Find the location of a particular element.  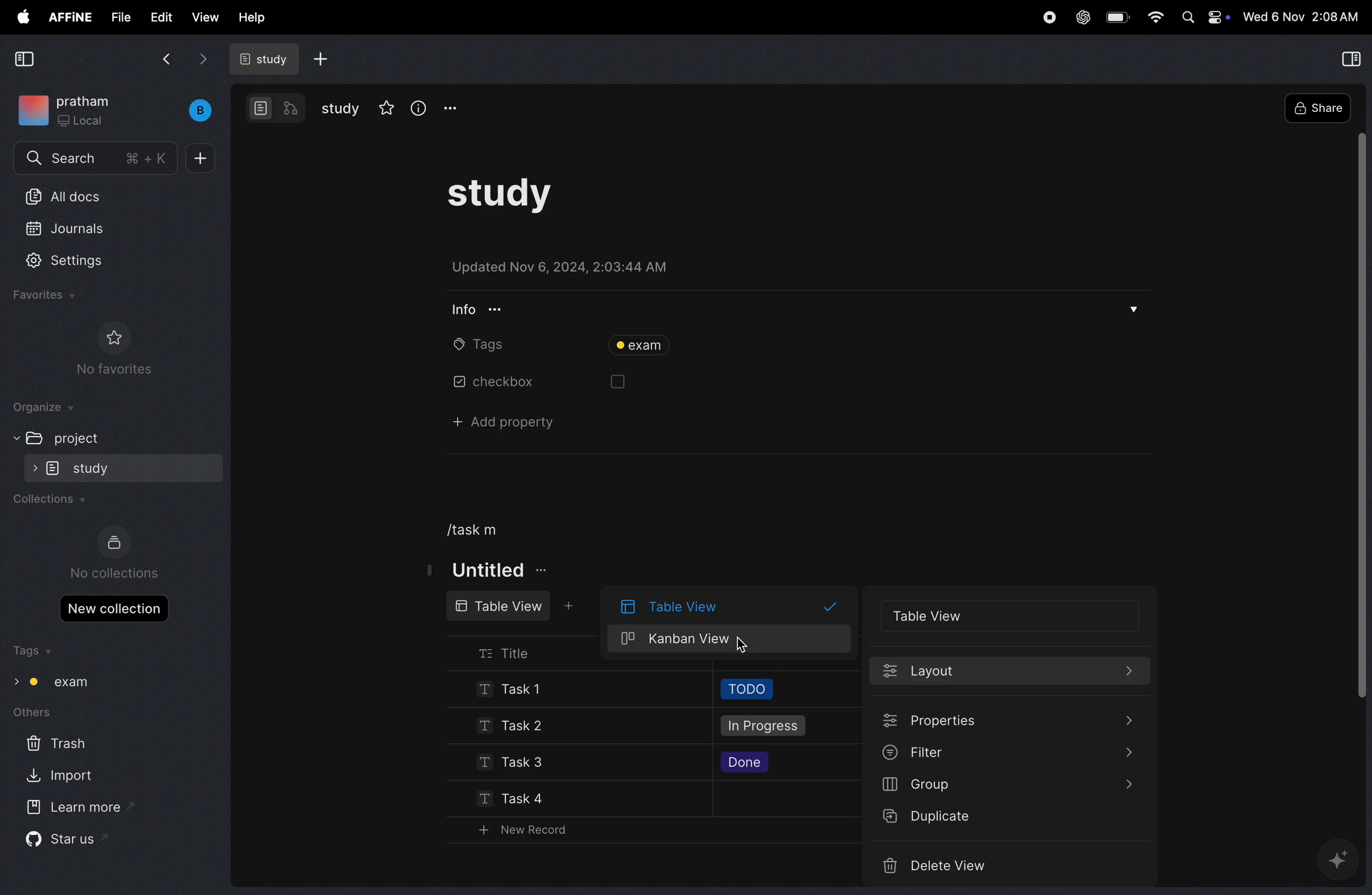

task 3 is located at coordinates (506, 765).